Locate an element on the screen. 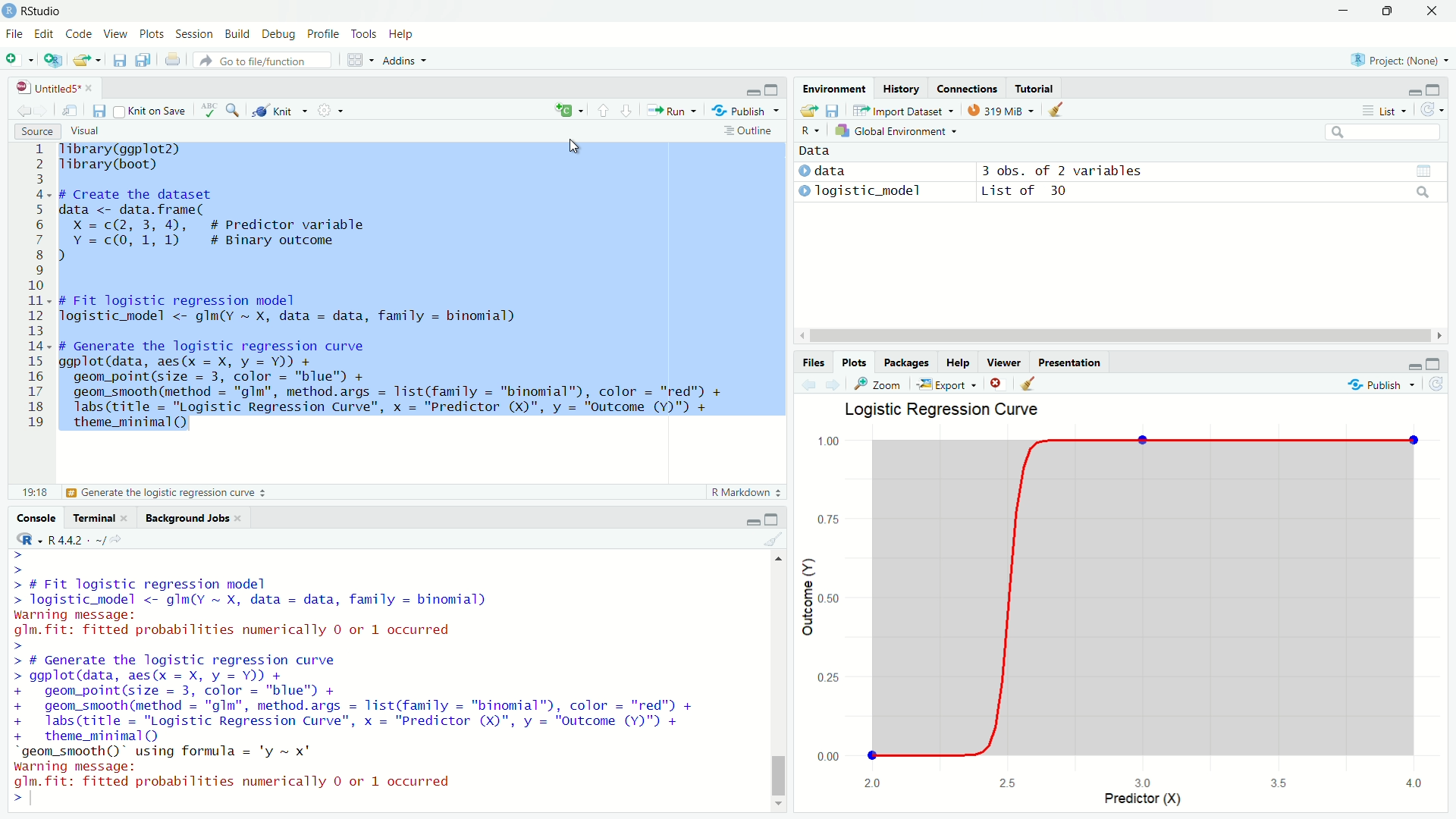  Clear all plots is located at coordinates (1030, 383).